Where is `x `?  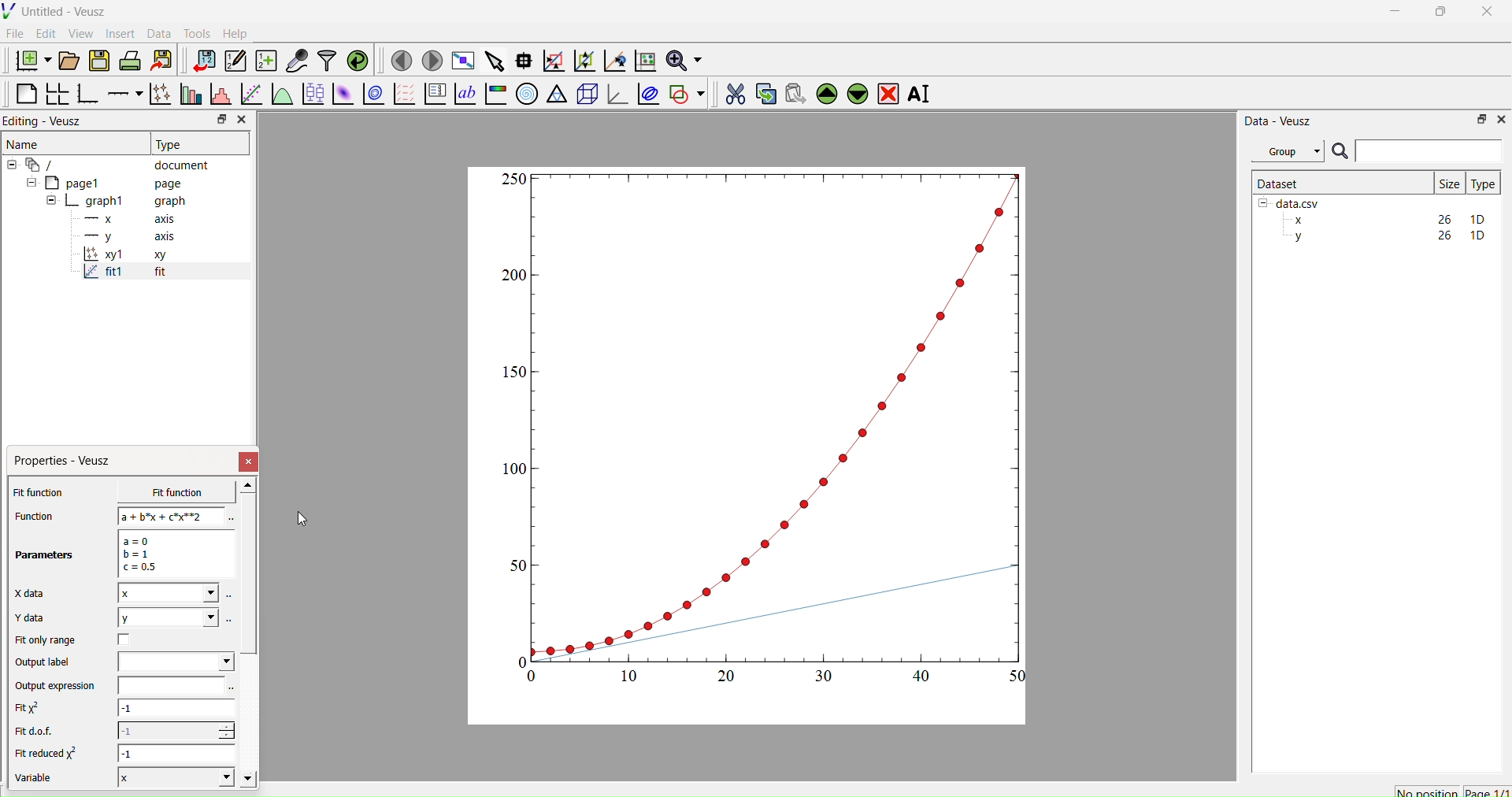 x  is located at coordinates (168, 593).